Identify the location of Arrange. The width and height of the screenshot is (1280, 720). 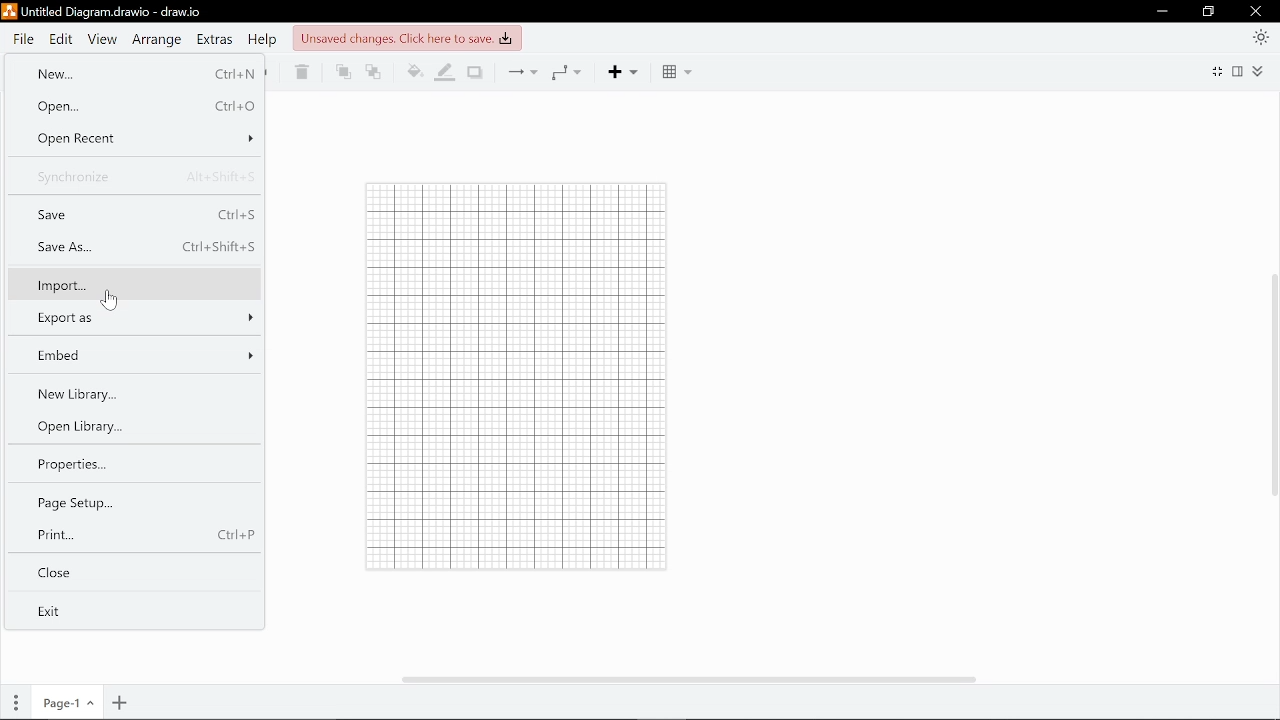
(157, 39).